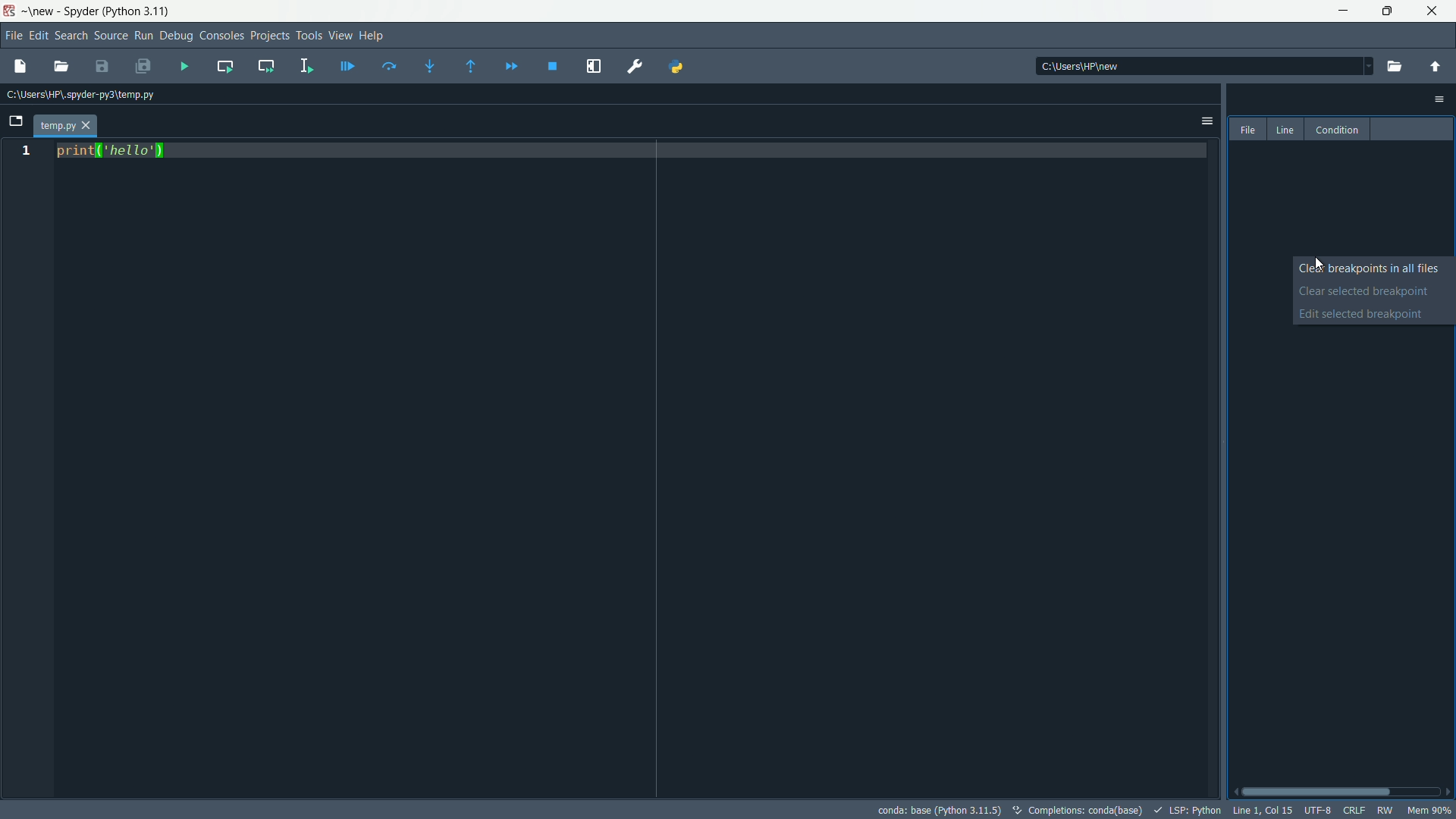  What do you see at coordinates (78, 96) in the screenshot?
I see `c:\users\hp\.spyder-py3\temp.py` at bounding box center [78, 96].